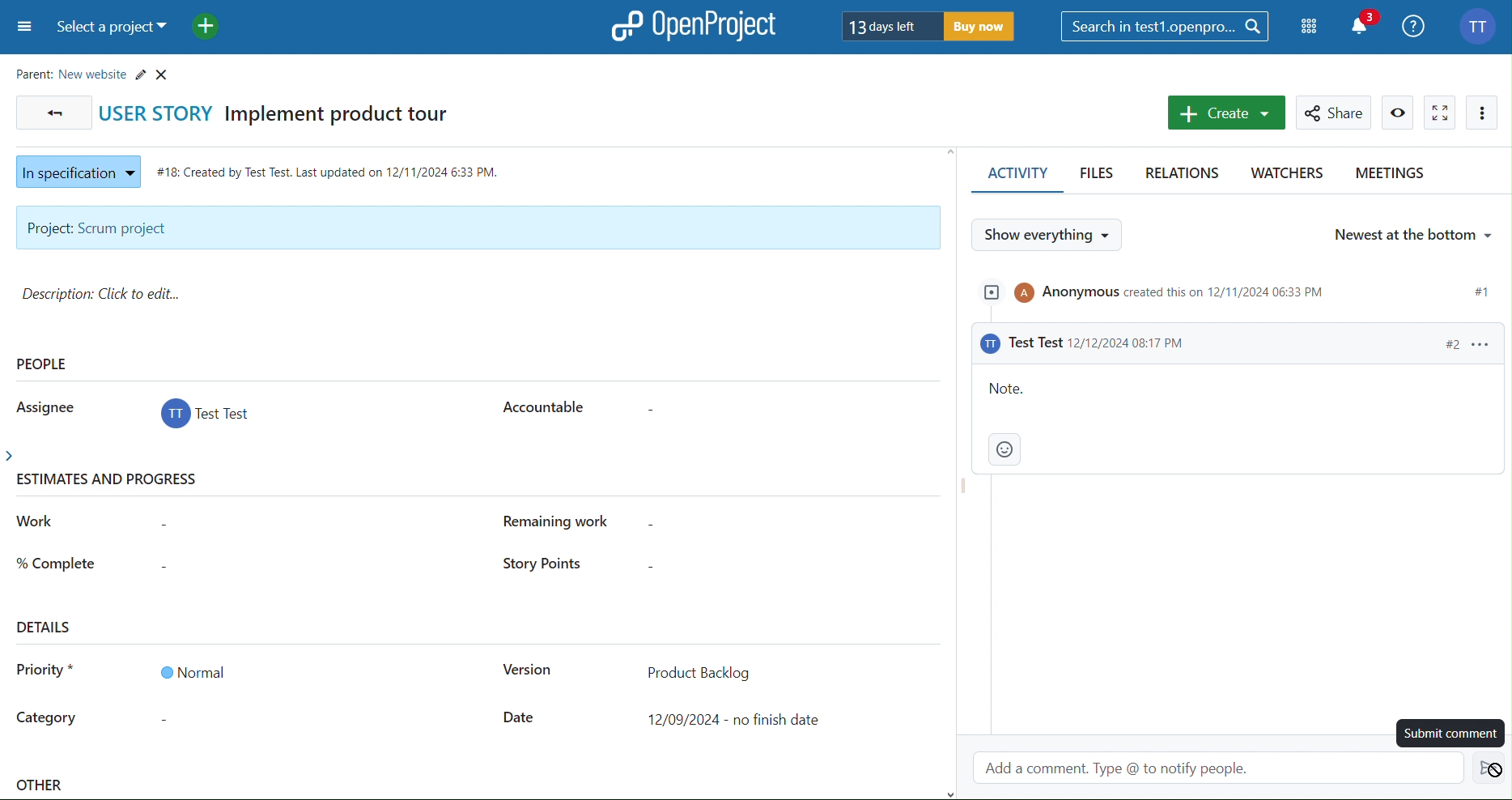 This screenshot has width=1512, height=800. Describe the element at coordinates (1014, 177) in the screenshot. I see `Activity` at that location.